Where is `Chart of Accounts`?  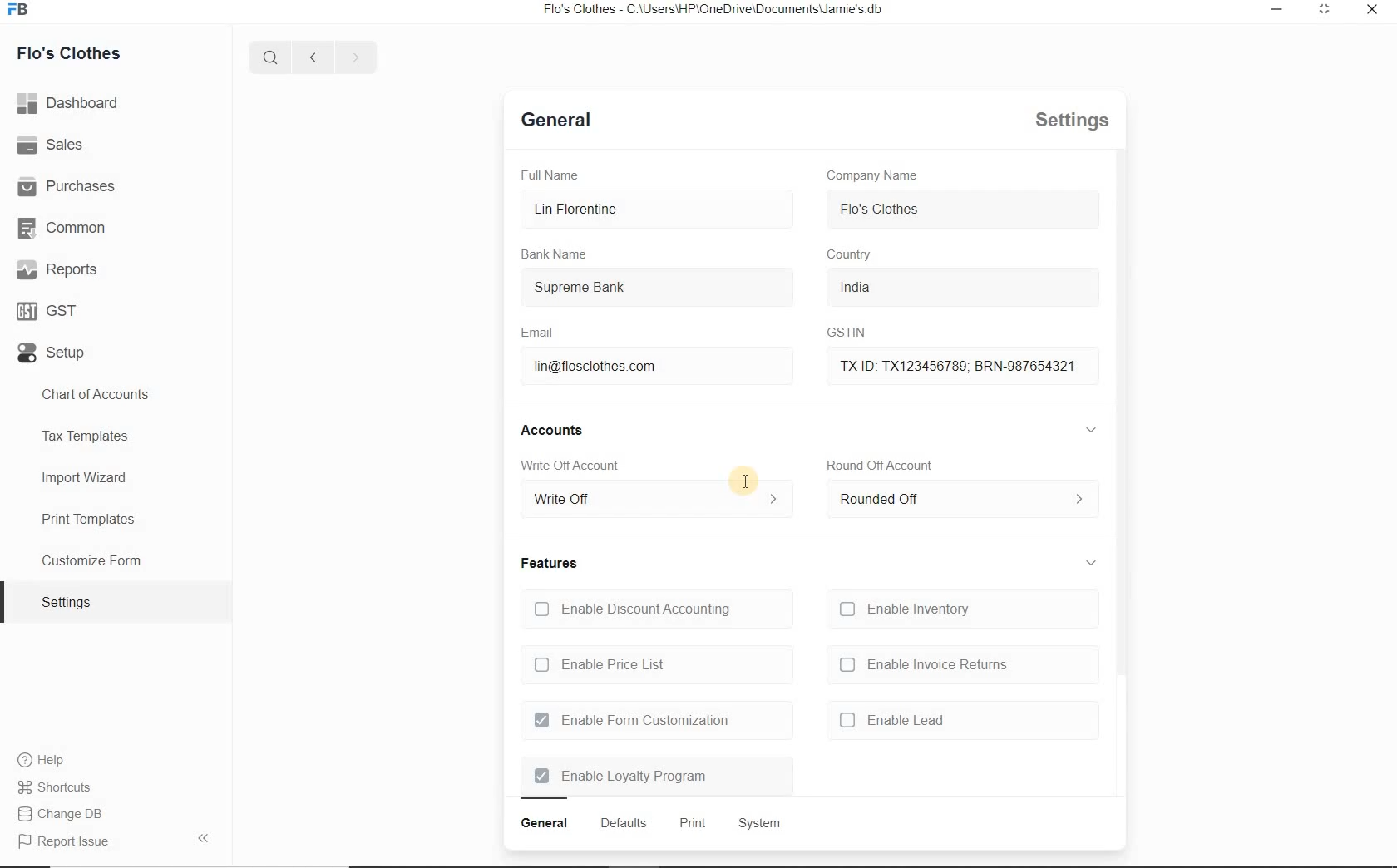 Chart of Accounts is located at coordinates (96, 393).